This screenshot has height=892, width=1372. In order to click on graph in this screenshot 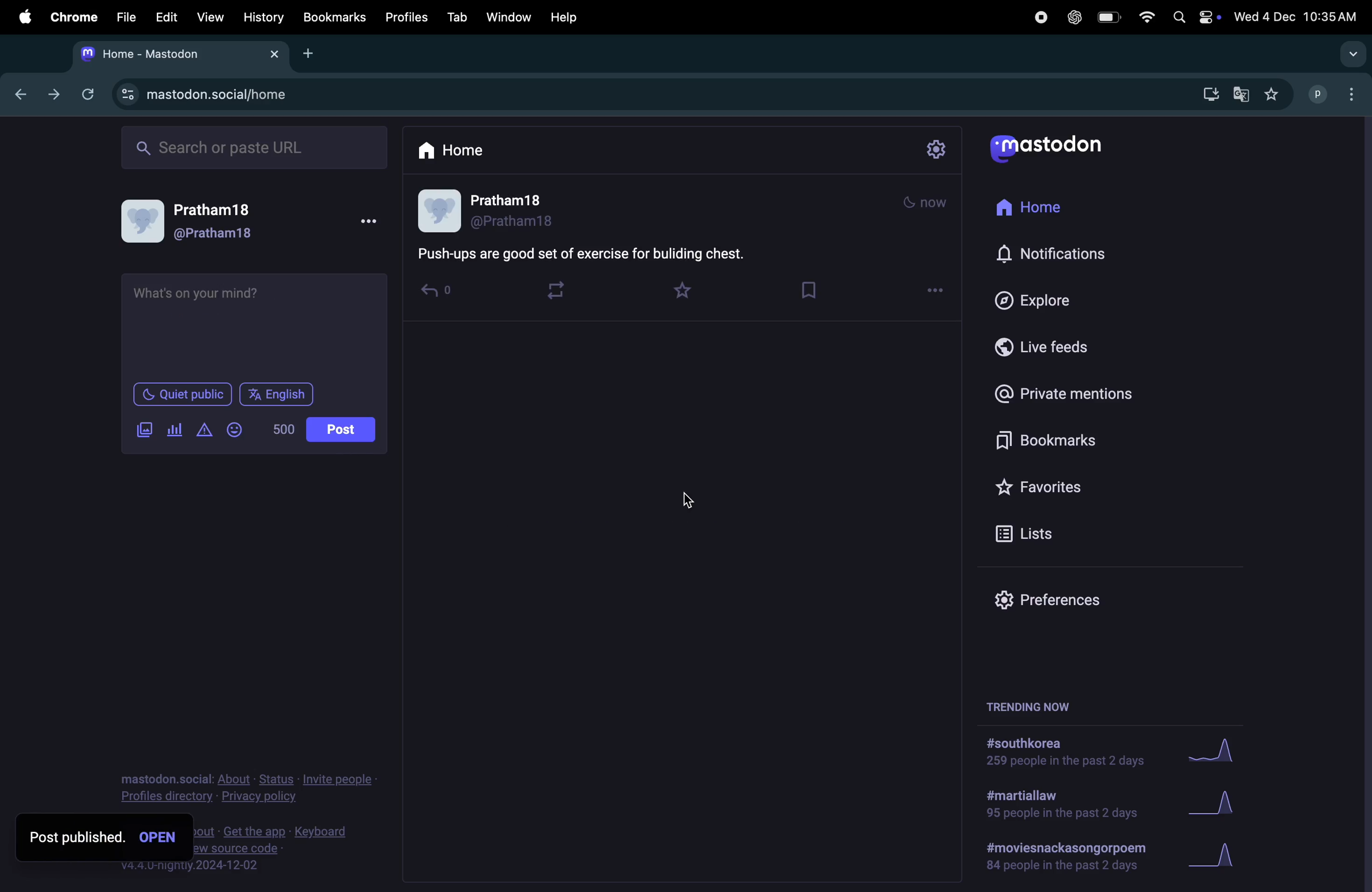, I will do `click(1215, 755)`.